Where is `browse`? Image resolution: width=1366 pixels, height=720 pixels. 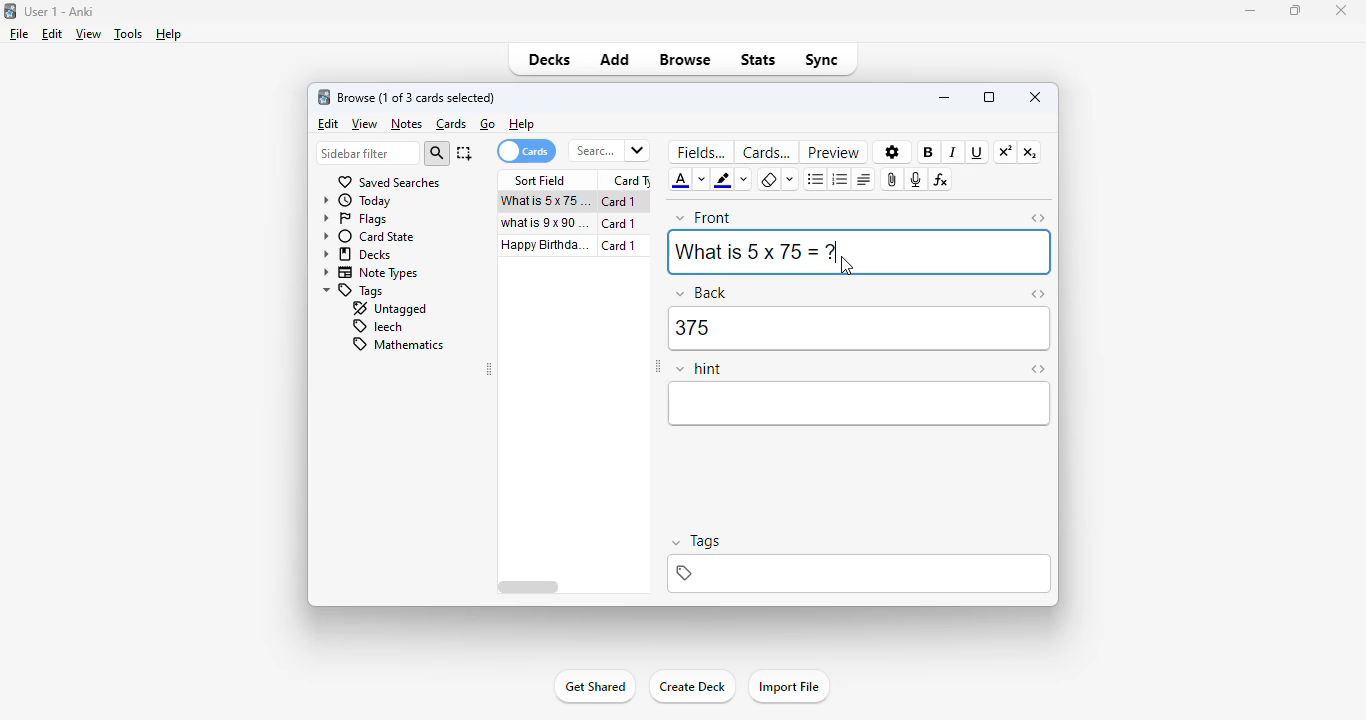
browse is located at coordinates (686, 59).